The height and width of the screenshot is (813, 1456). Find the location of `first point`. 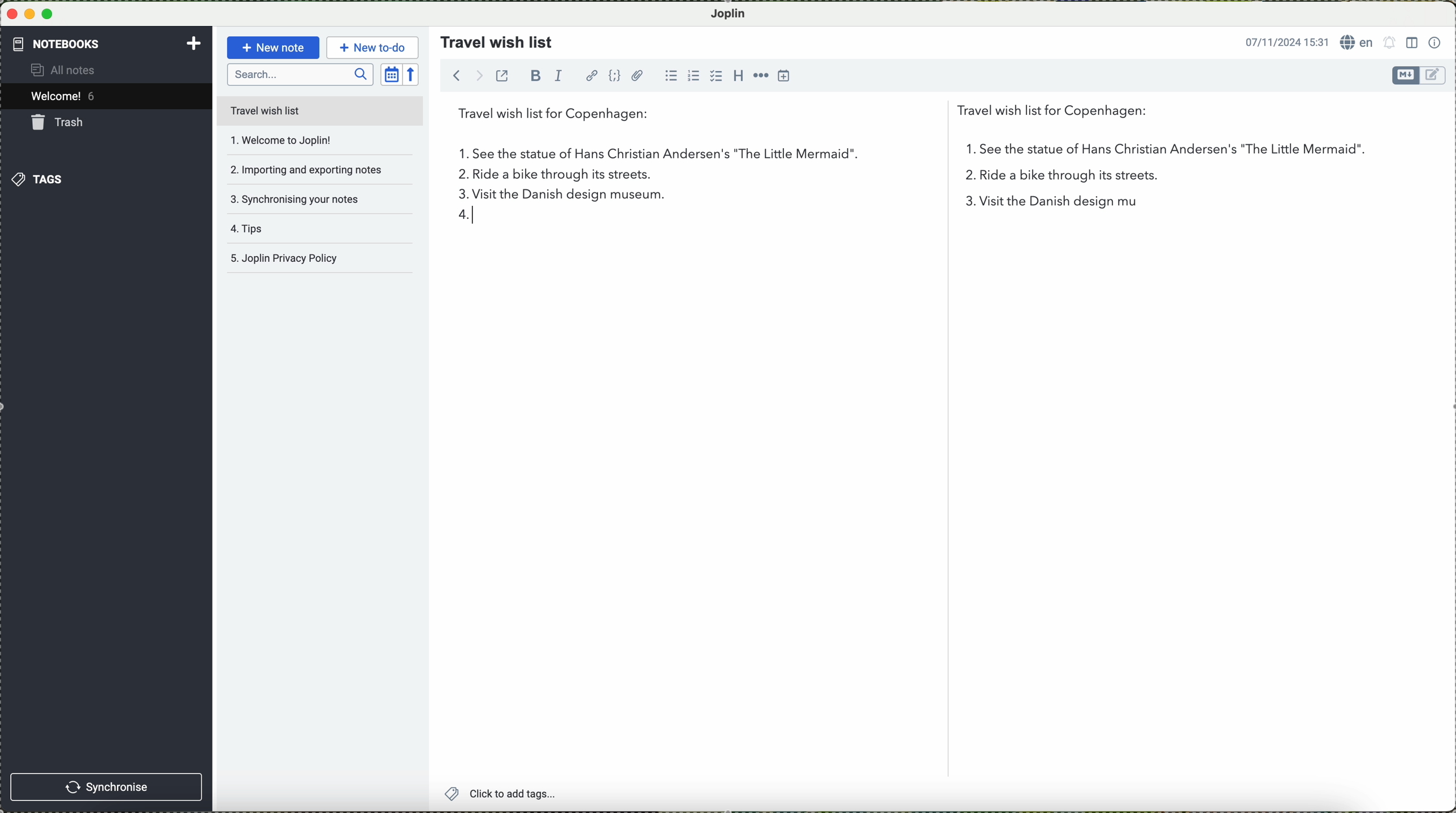

first point is located at coordinates (899, 153).